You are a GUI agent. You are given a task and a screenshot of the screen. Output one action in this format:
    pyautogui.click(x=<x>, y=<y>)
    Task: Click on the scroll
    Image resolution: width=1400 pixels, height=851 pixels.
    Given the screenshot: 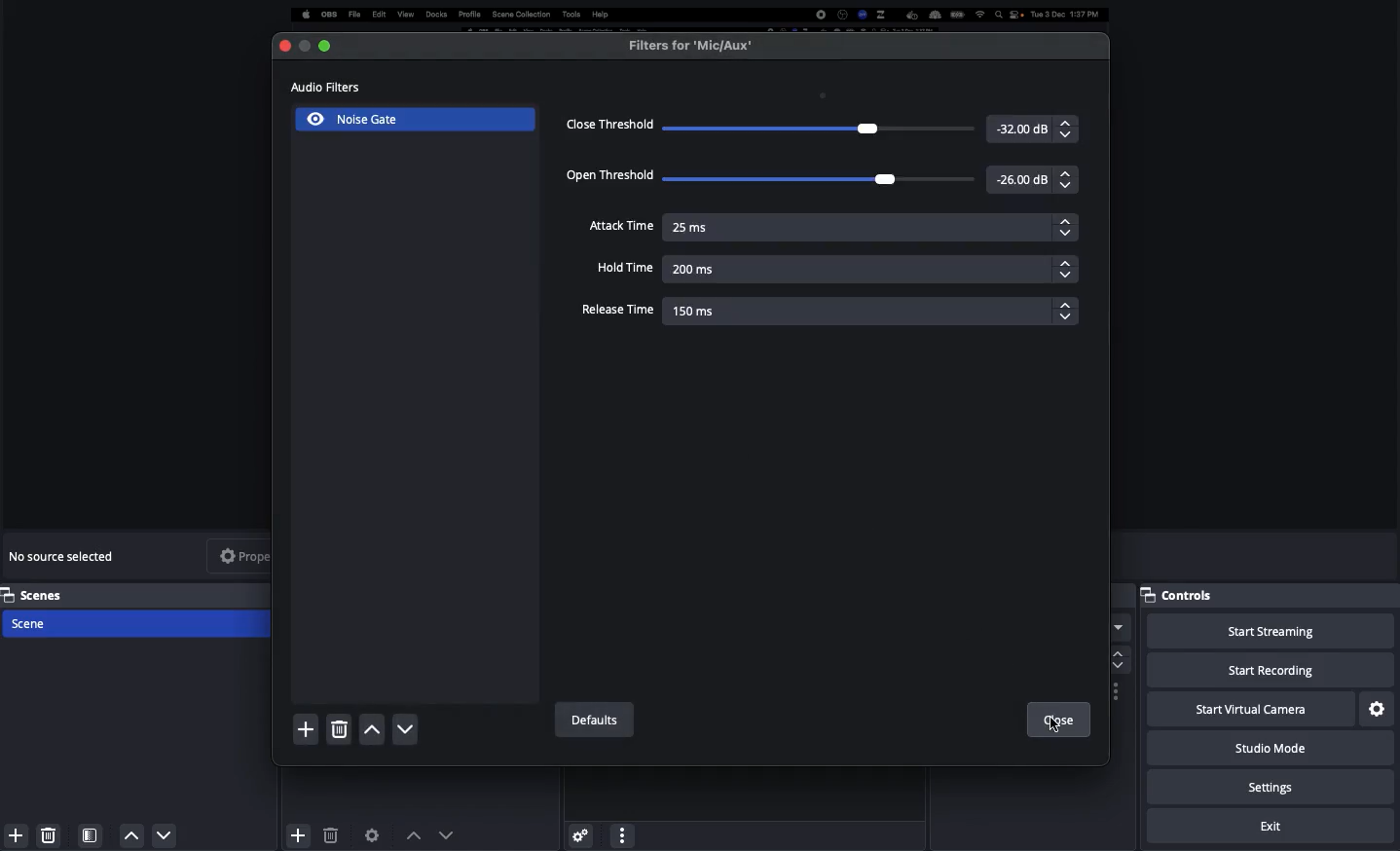 What is the action you would take?
    pyautogui.click(x=1116, y=659)
    